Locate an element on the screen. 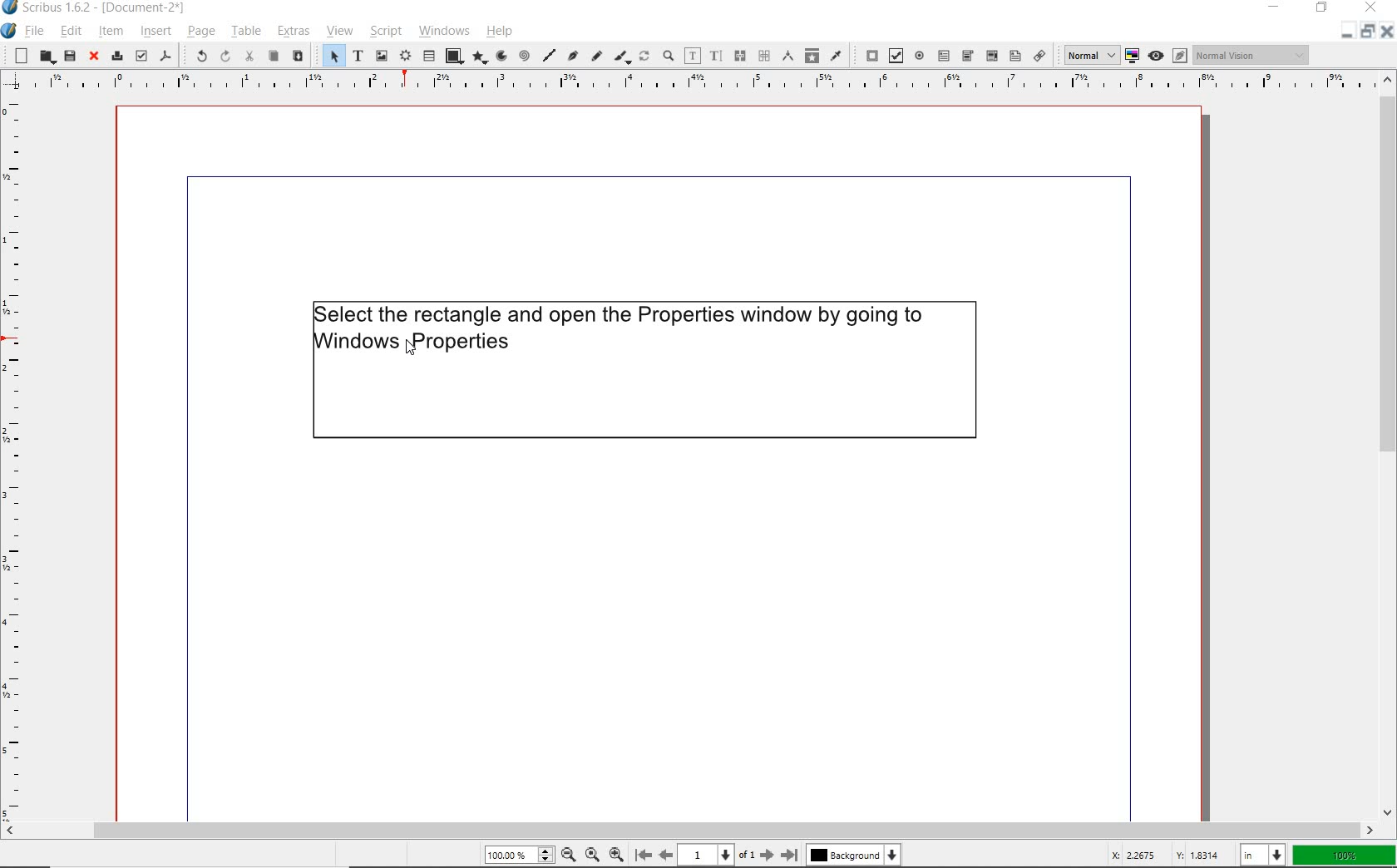 This screenshot has height=868, width=1397. close is located at coordinates (1387, 35).